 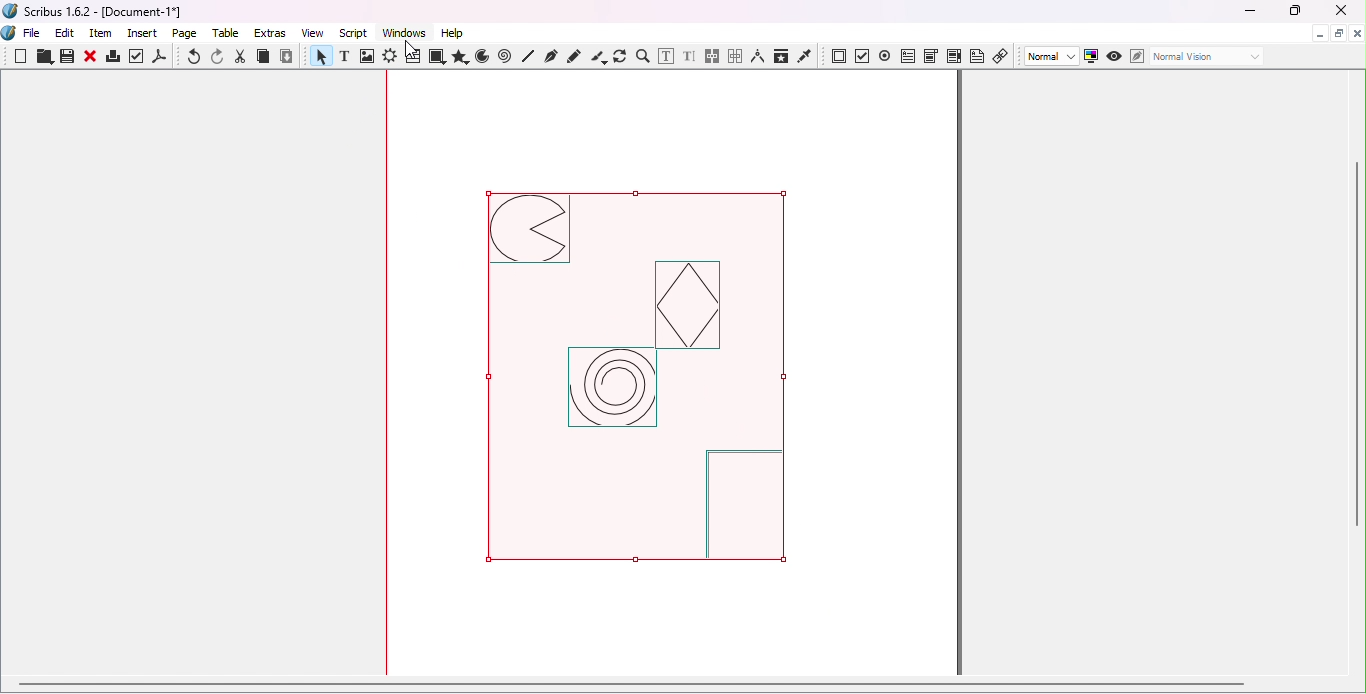 I want to click on Eye dropper, so click(x=805, y=55).